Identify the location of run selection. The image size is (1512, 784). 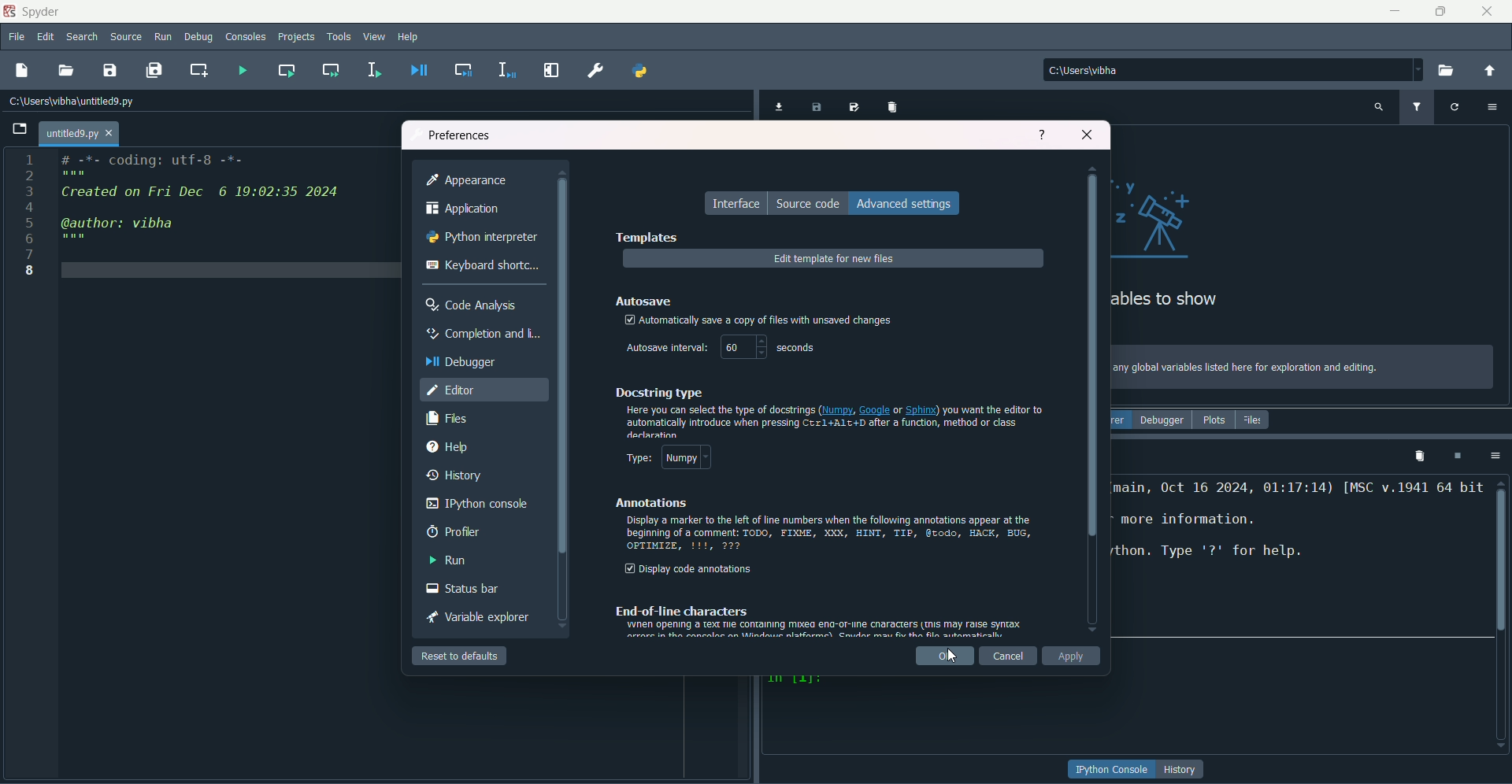
(374, 70).